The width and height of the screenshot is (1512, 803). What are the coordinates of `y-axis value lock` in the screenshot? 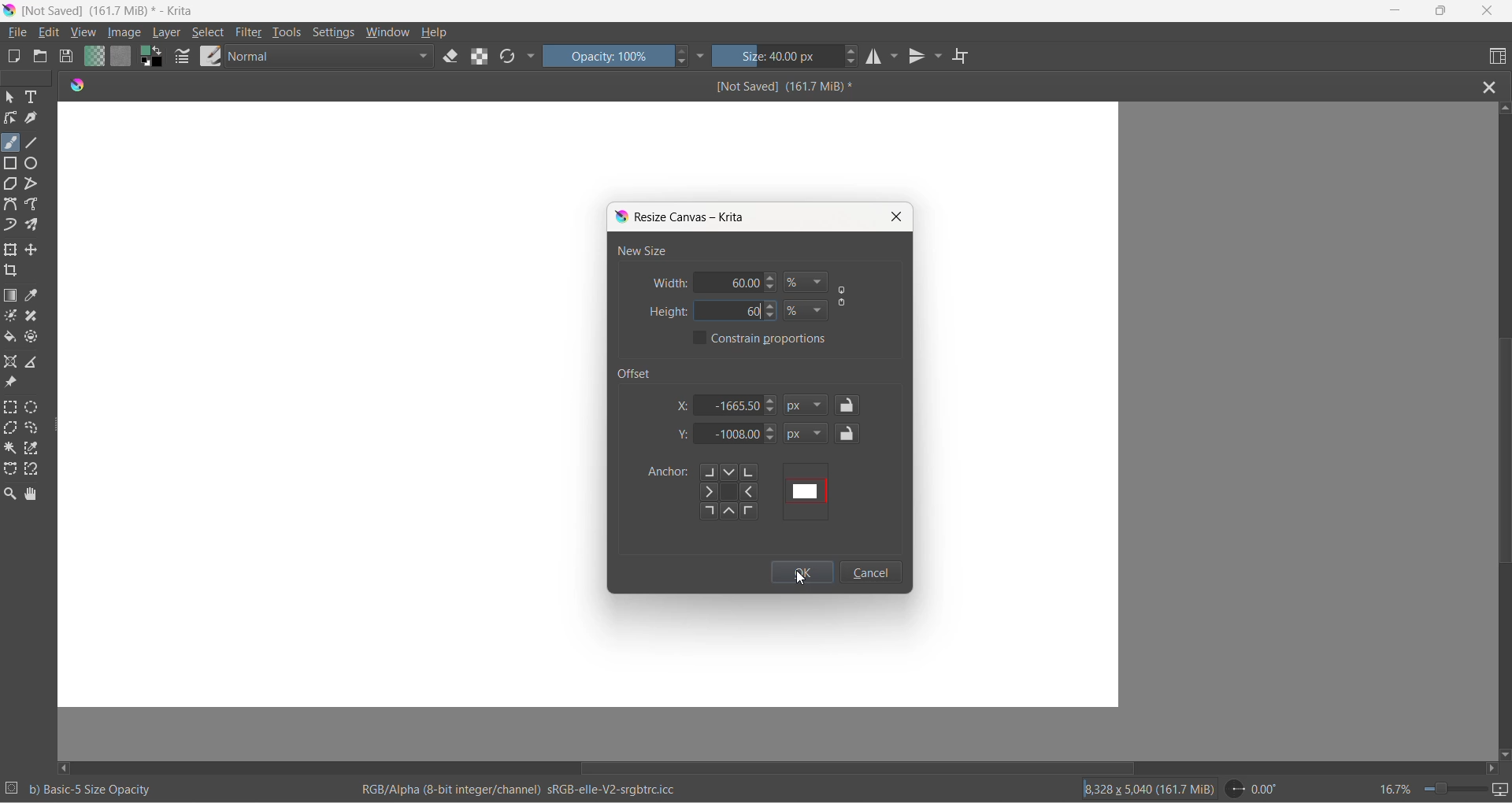 It's located at (849, 433).